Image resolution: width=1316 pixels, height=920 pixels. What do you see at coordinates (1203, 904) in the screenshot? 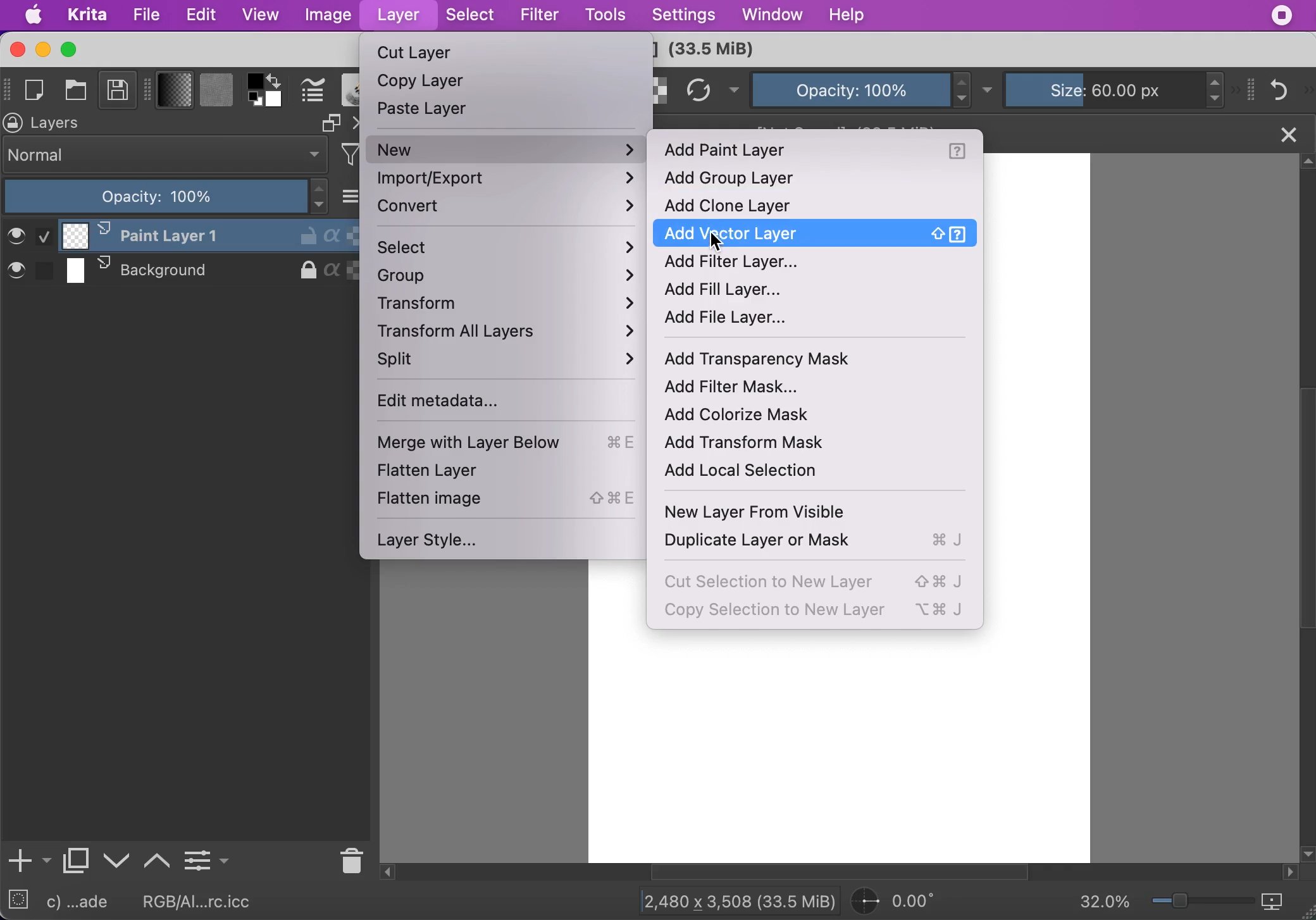
I see `zoom` at bounding box center [1203, 904].